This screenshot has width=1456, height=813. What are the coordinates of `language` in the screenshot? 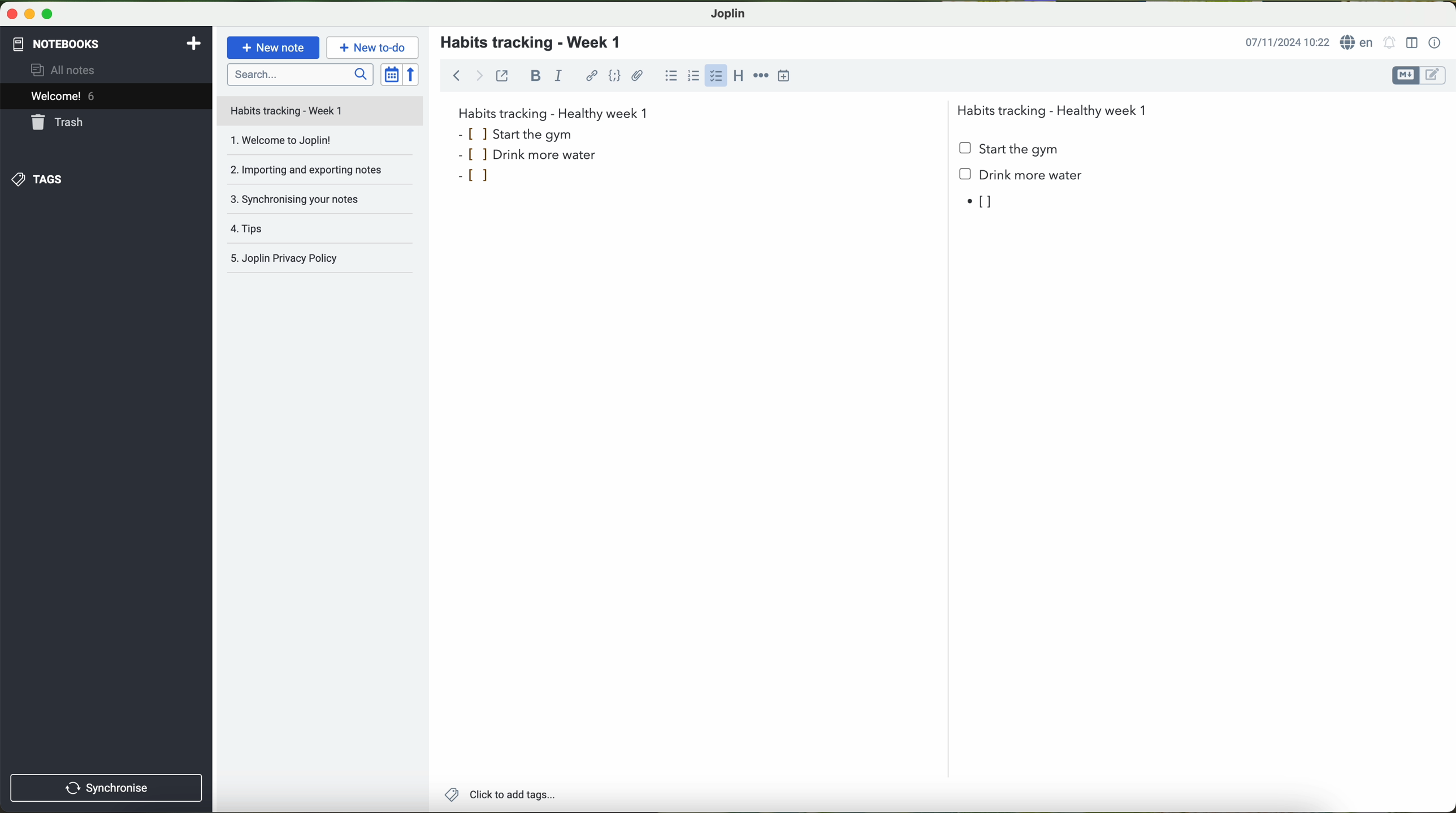 It's located at (1358, 42).